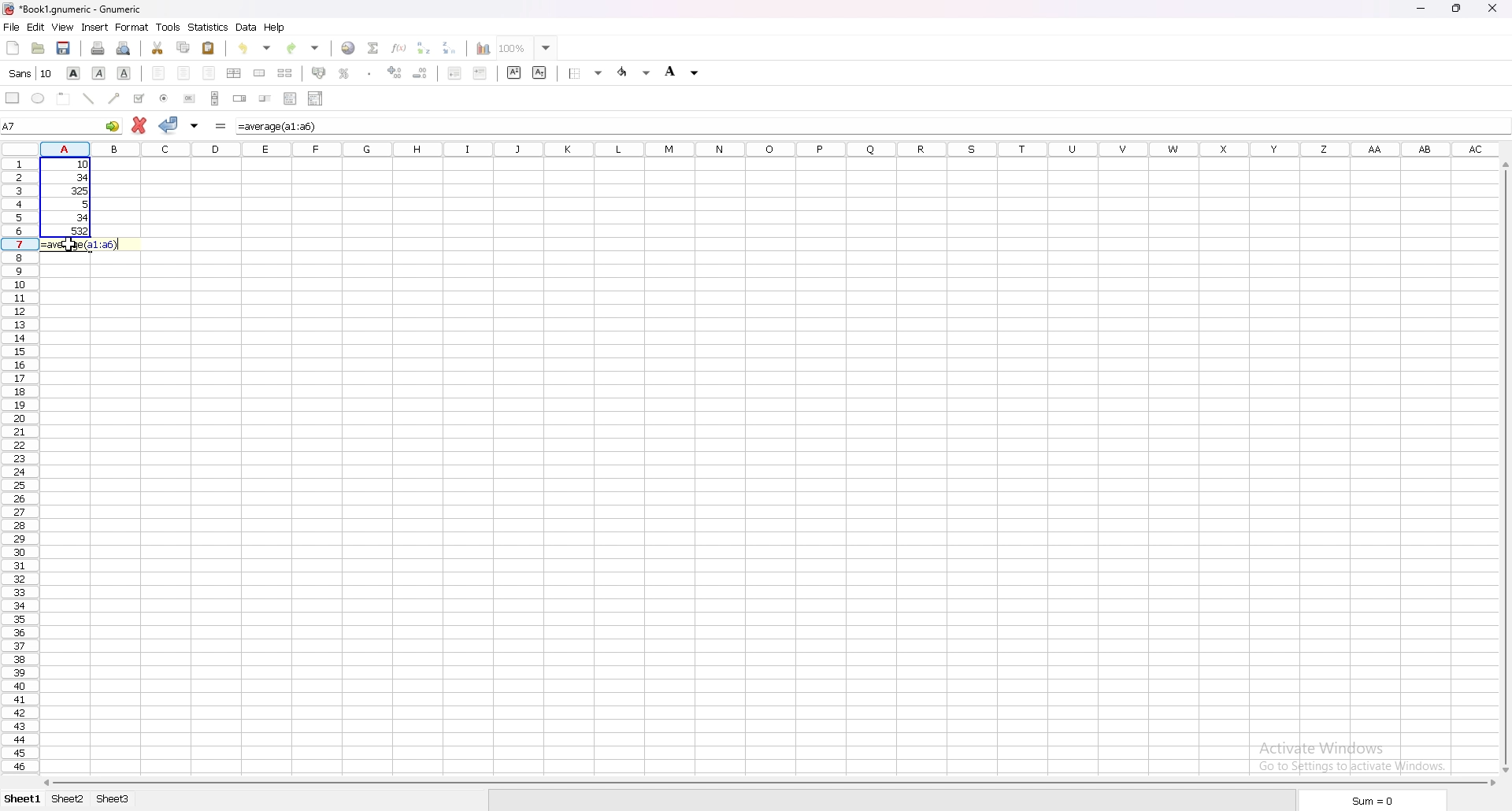  What do you see at coordinates (209, 27) in the screenshot?
I see `statistics` at bounding box center [209, 27].